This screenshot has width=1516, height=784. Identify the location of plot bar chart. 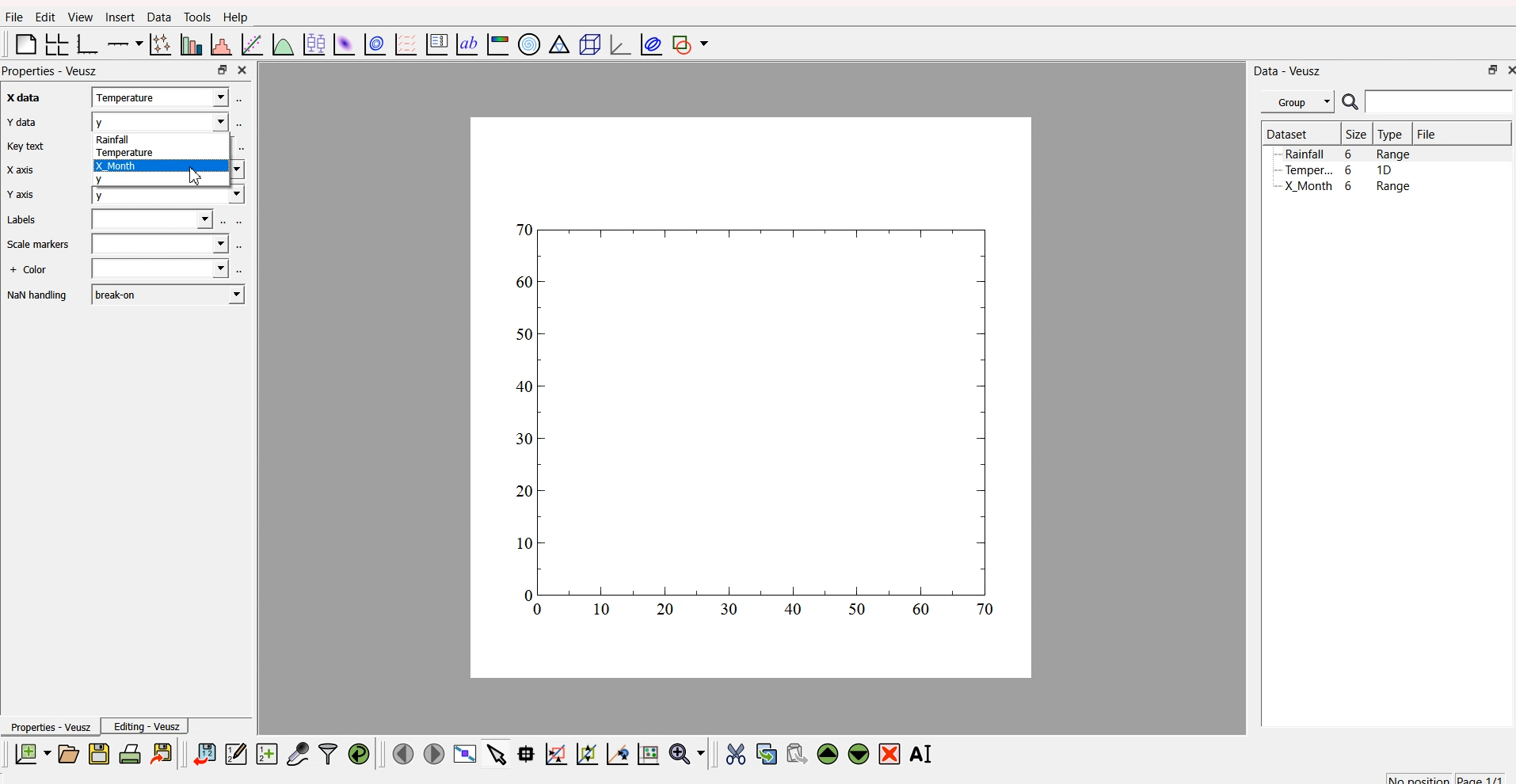
(189, 44).